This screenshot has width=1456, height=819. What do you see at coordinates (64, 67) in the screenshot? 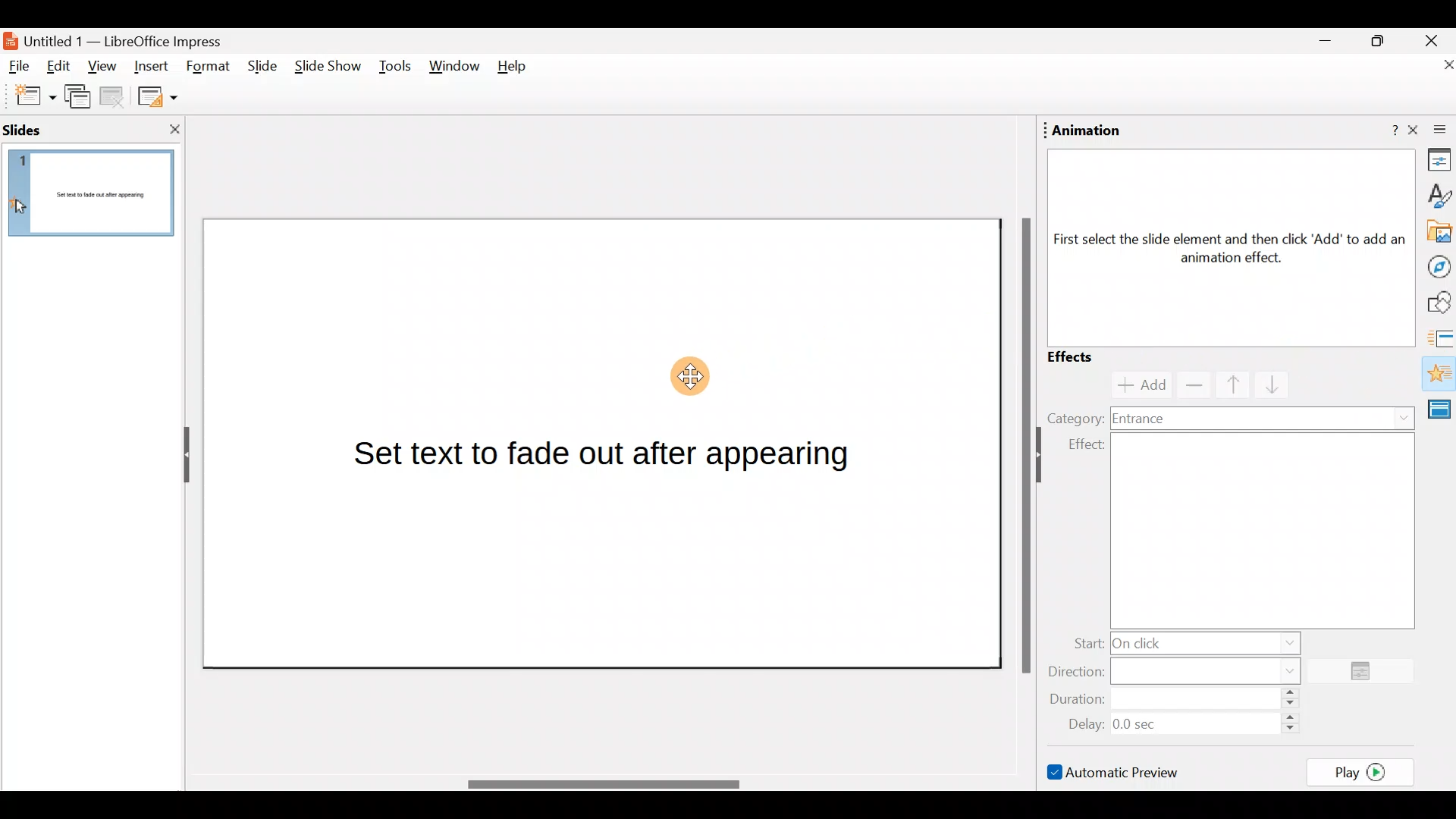
I see `Edit` at bounding box center [64, 67].